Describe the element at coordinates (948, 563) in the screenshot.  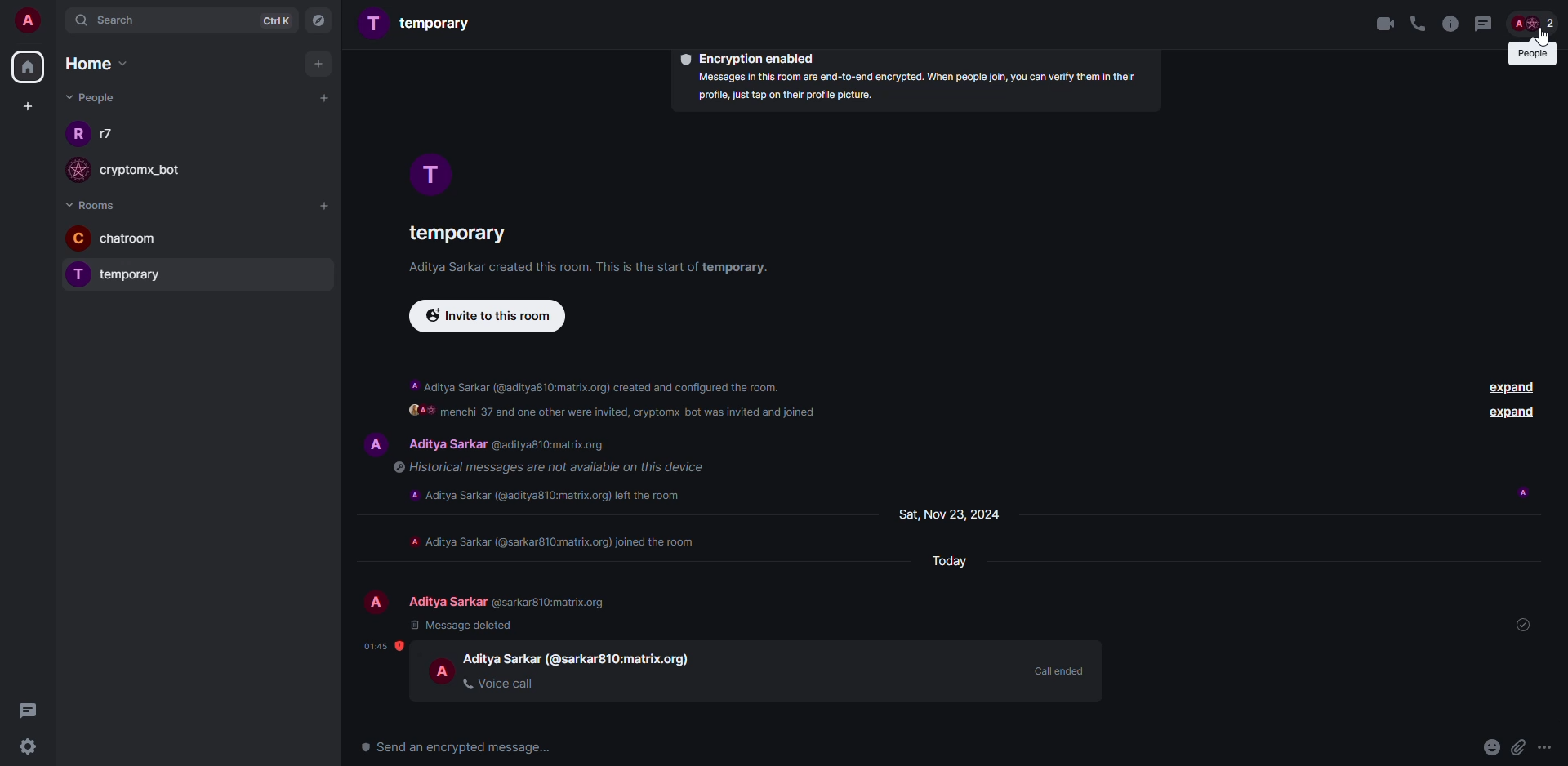
I see `day` at that location.